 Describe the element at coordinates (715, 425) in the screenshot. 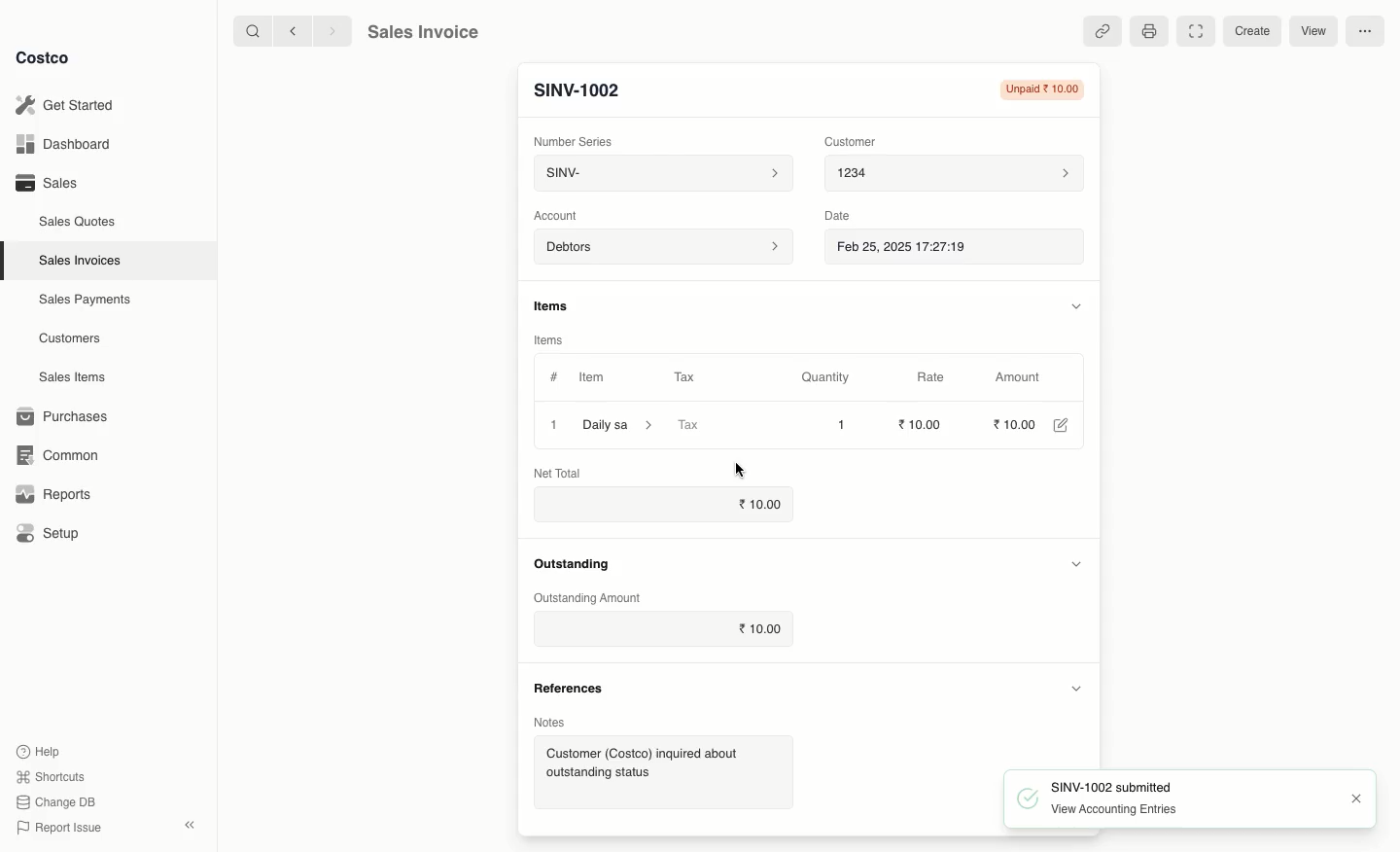

I see `Tax` at that location.